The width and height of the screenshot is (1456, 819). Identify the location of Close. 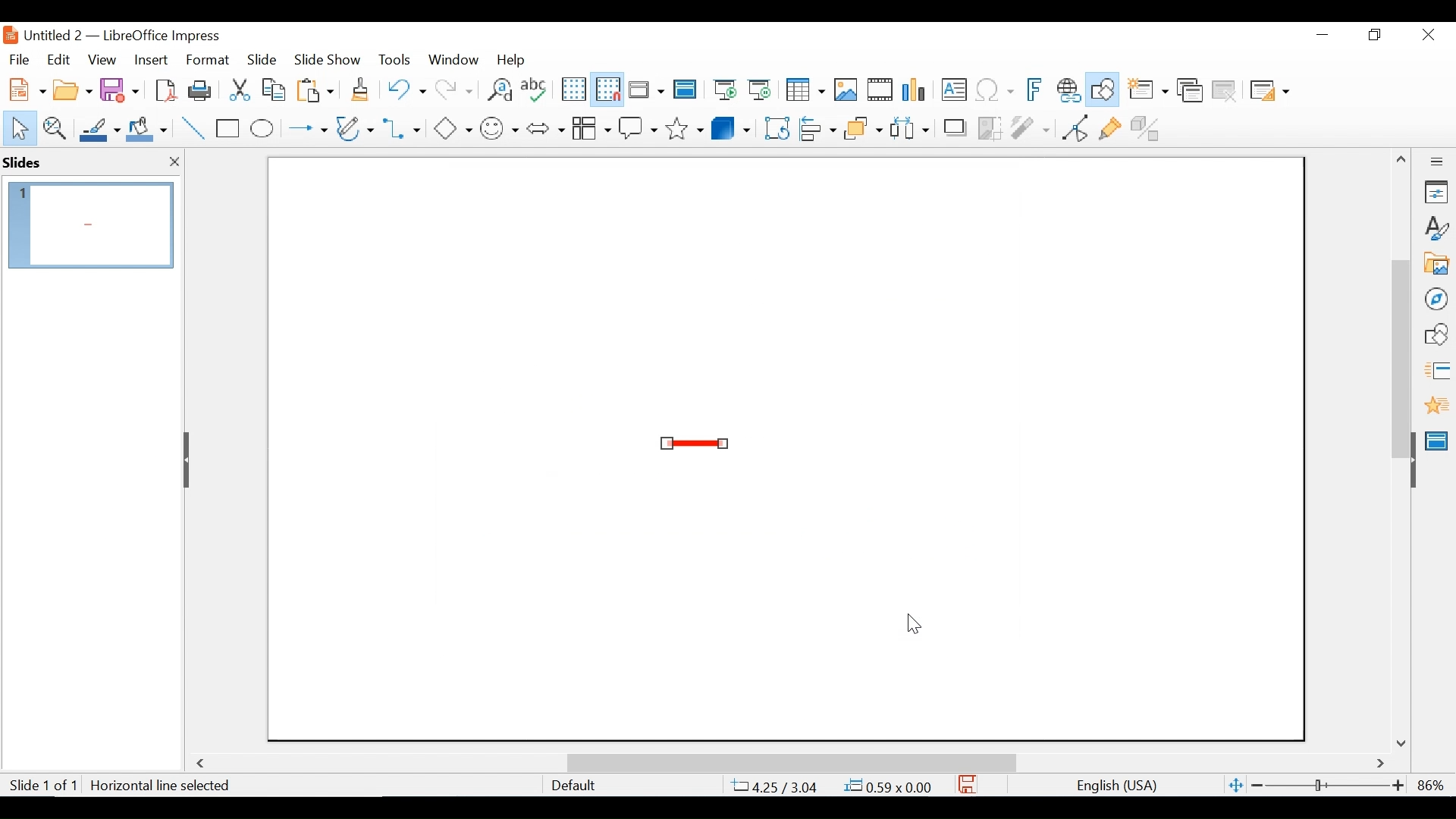
(1426, 36).